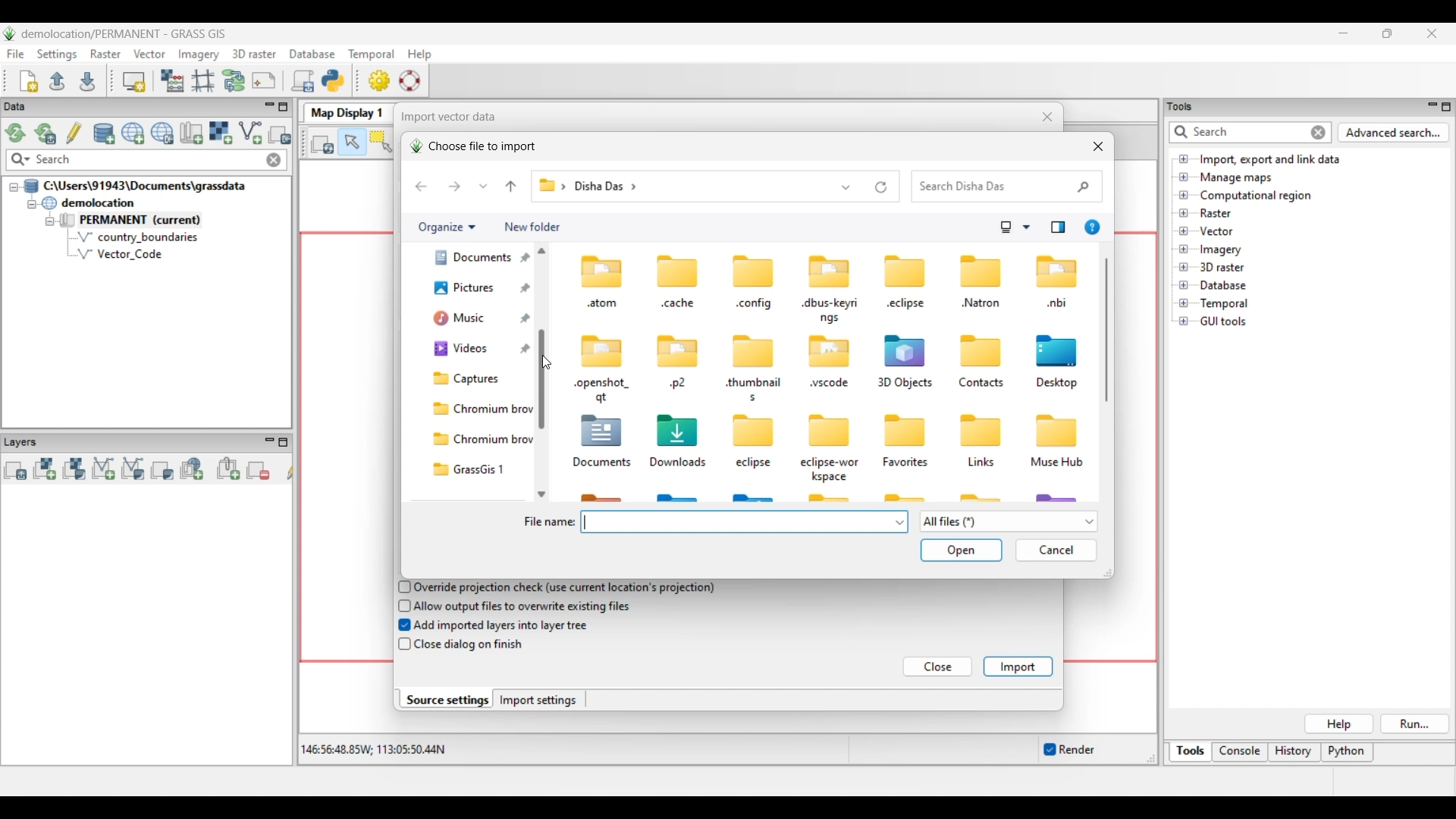 Image resolution: width=1456 pixels, height=819 pixels. I want to click on eclipse, so click(755, 464).